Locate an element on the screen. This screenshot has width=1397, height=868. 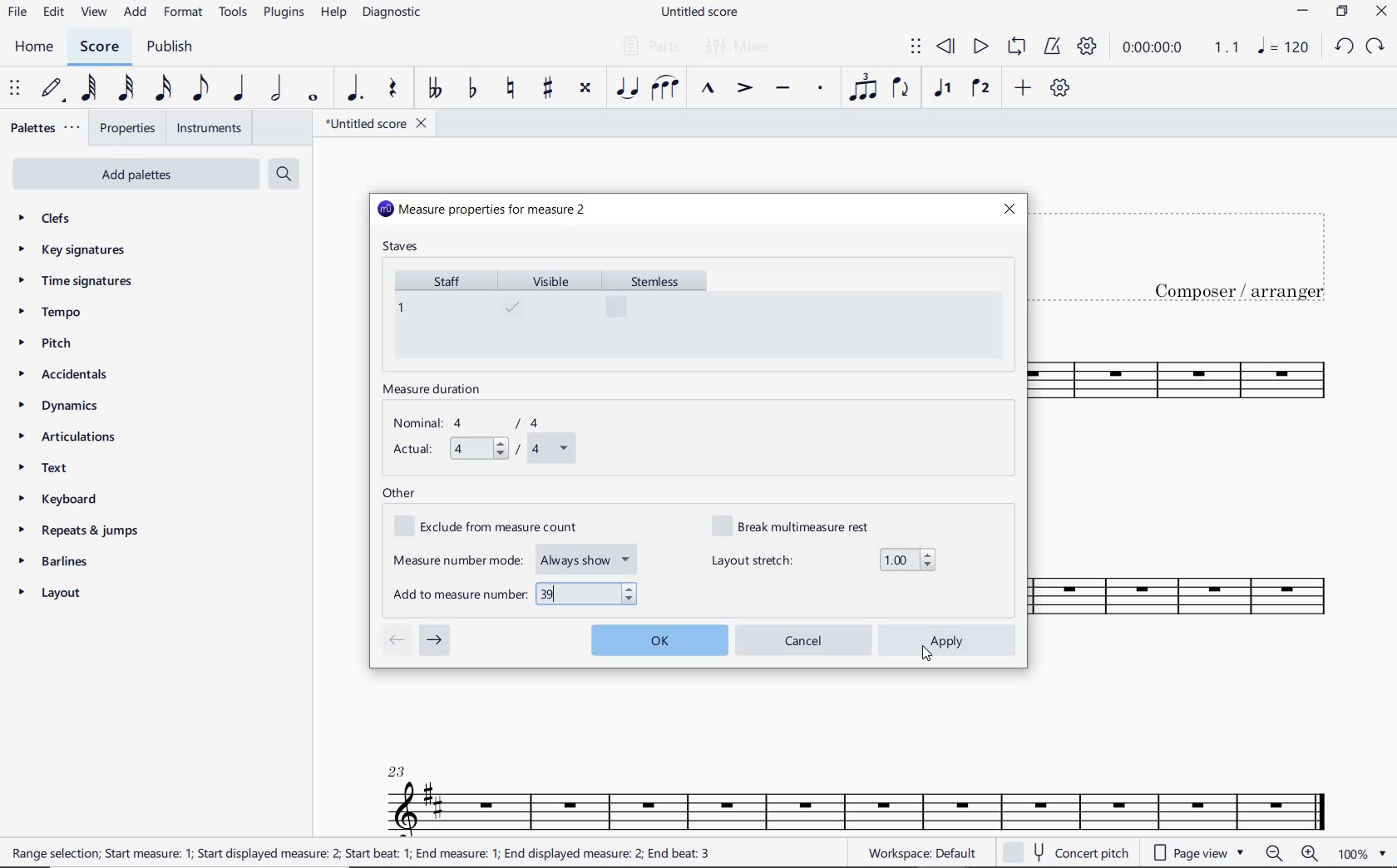
NOTE is located at coordinates (1282, 47).